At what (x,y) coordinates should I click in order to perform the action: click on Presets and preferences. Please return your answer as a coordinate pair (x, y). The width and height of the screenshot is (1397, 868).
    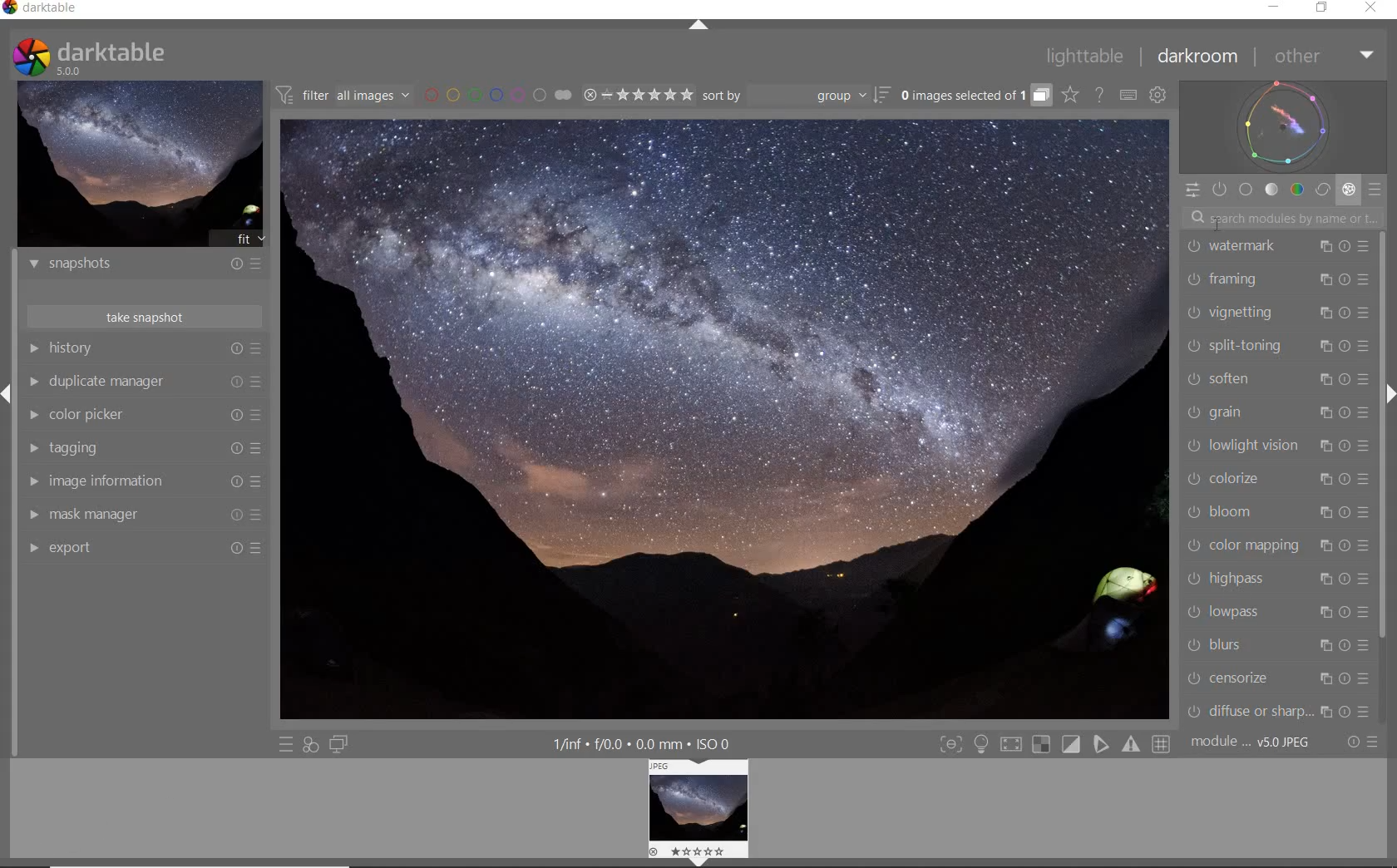
    Looking at the image, I should click on (262, 481).